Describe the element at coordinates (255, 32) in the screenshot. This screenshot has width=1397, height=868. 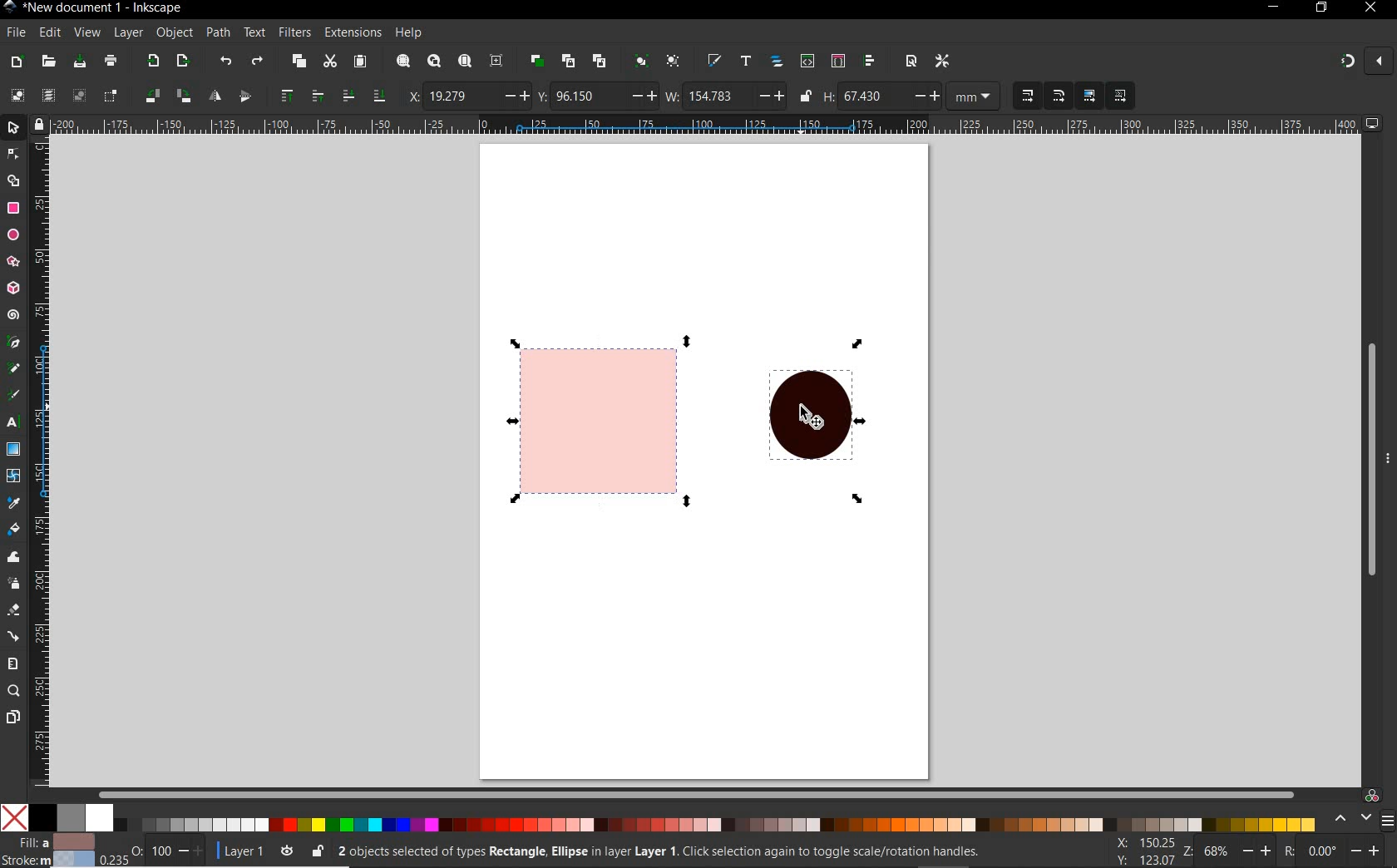
I see `text` at that location.